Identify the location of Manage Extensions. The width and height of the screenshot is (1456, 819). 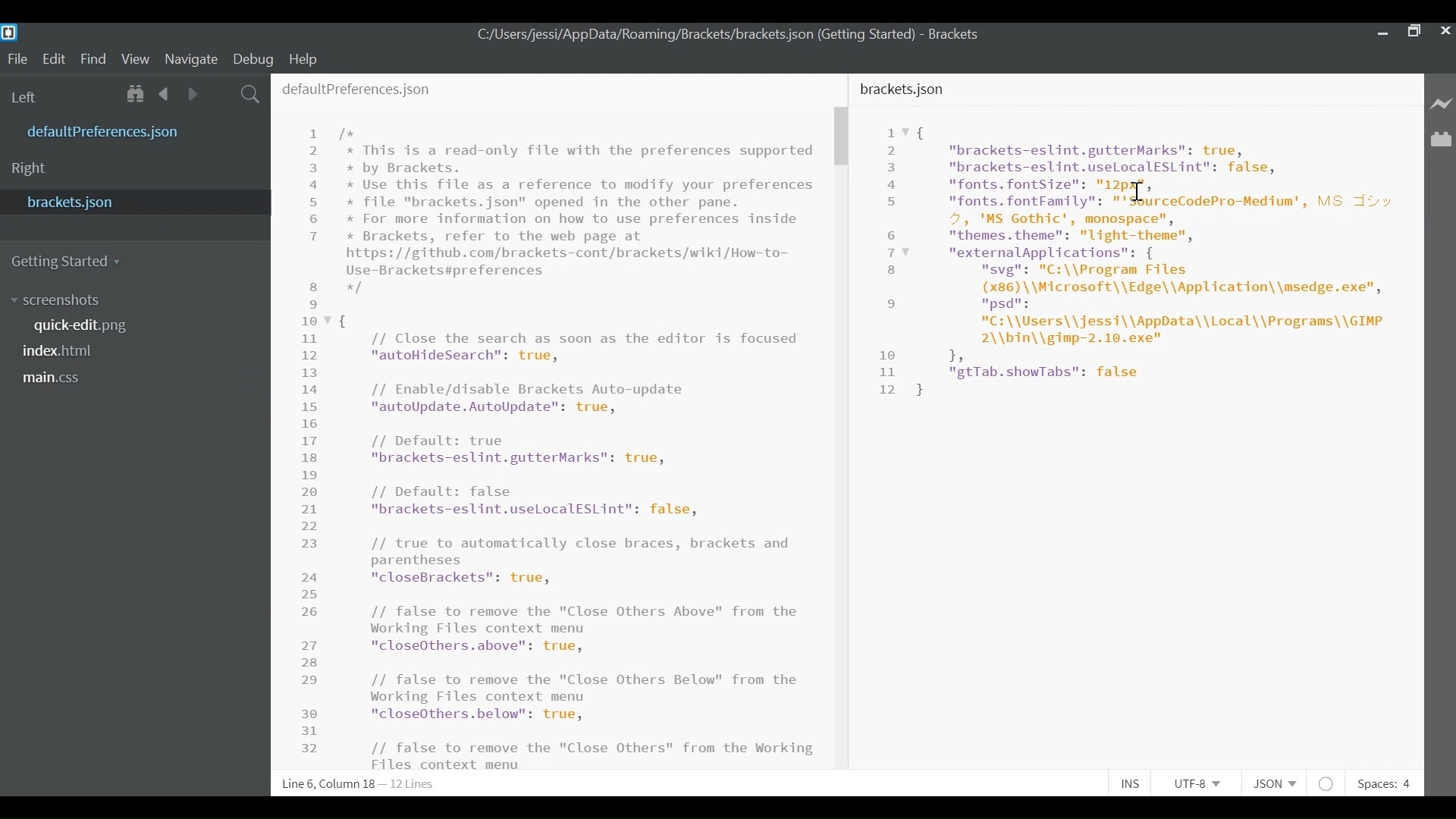
(1441, 140).